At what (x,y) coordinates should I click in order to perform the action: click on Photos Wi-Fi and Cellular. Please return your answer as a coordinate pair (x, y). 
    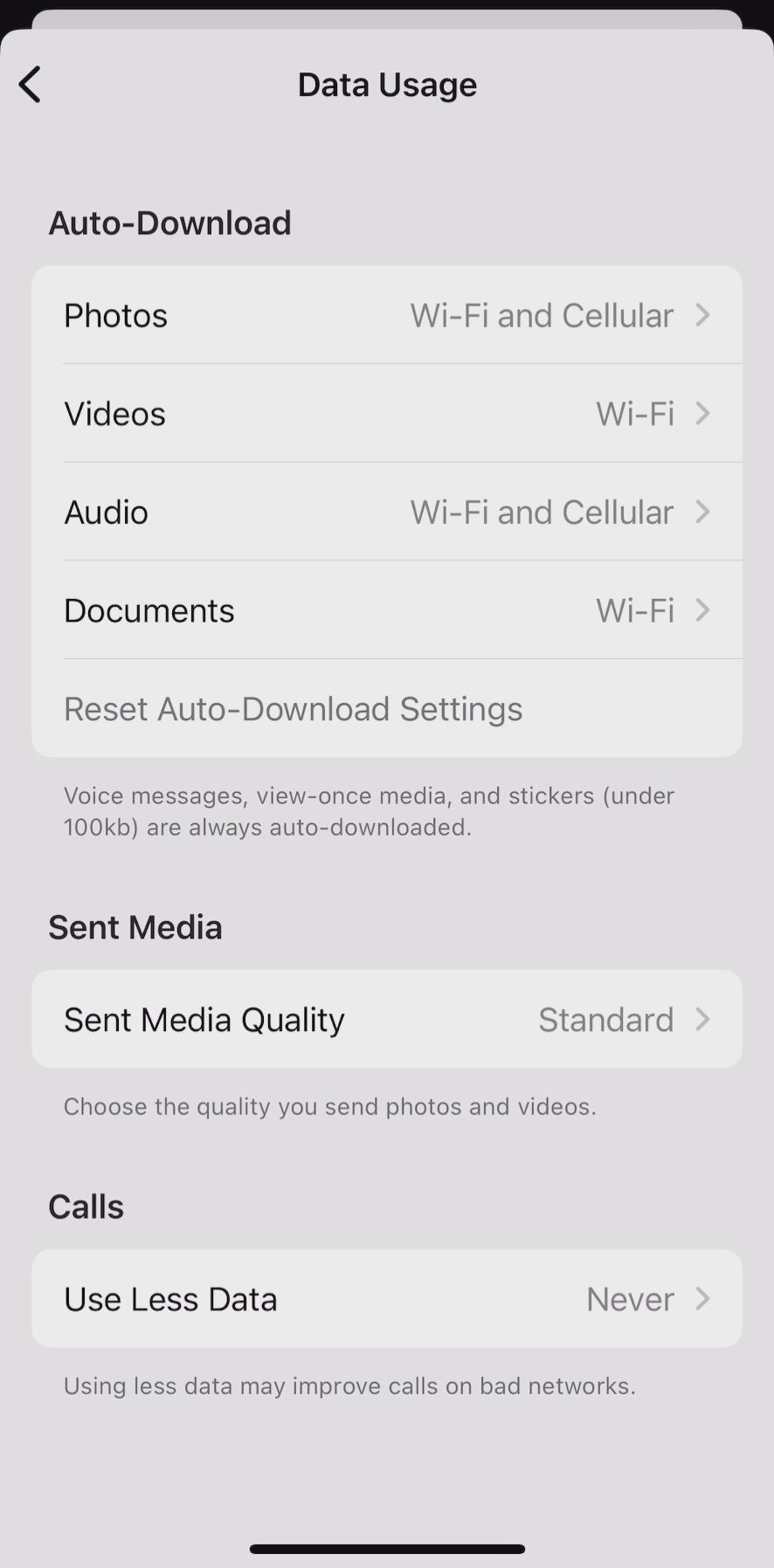
    Looking at the image, I should click on (387, 316).